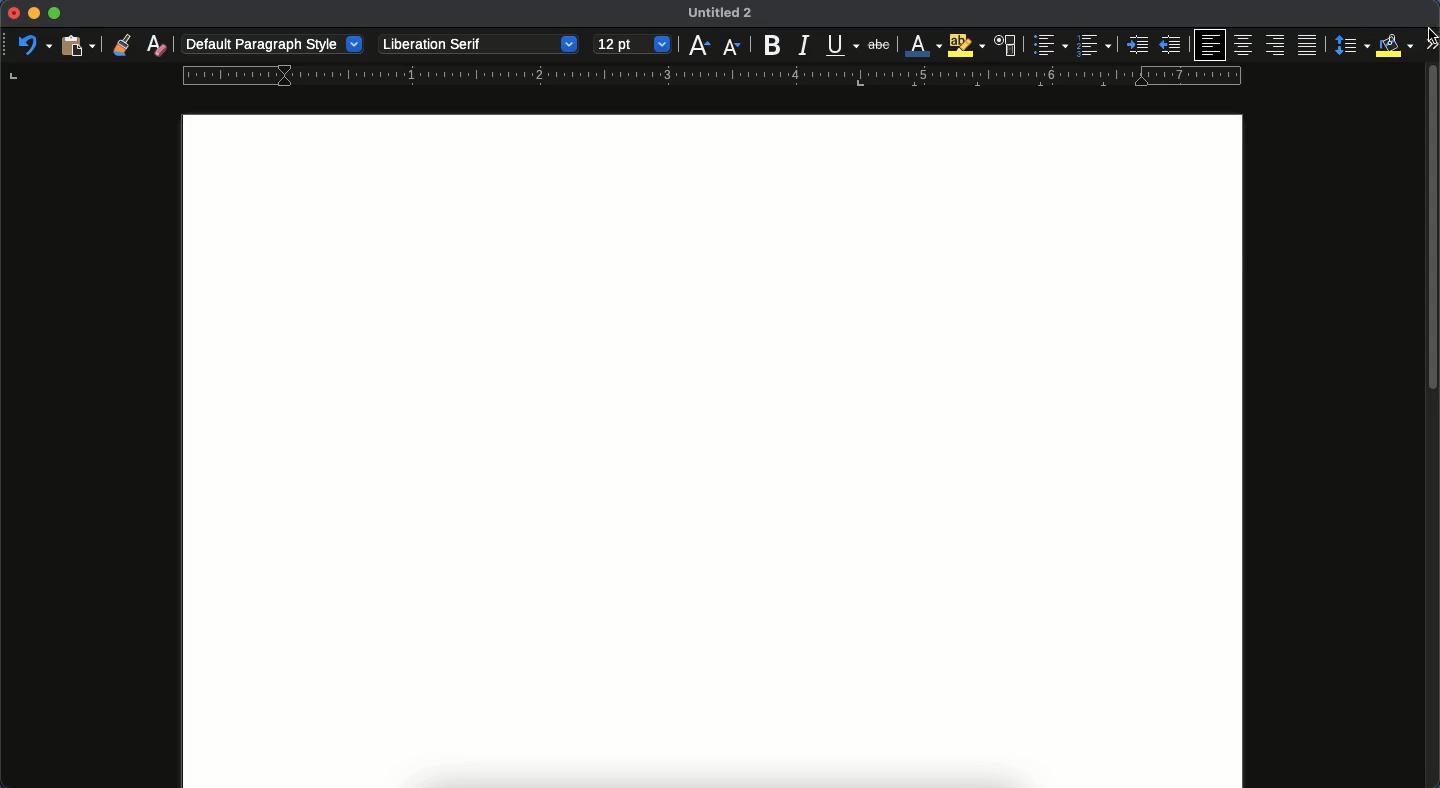  Describe the element at coordinates (1094, 45) in the screenshot. I see `numbered bullet` at that location.